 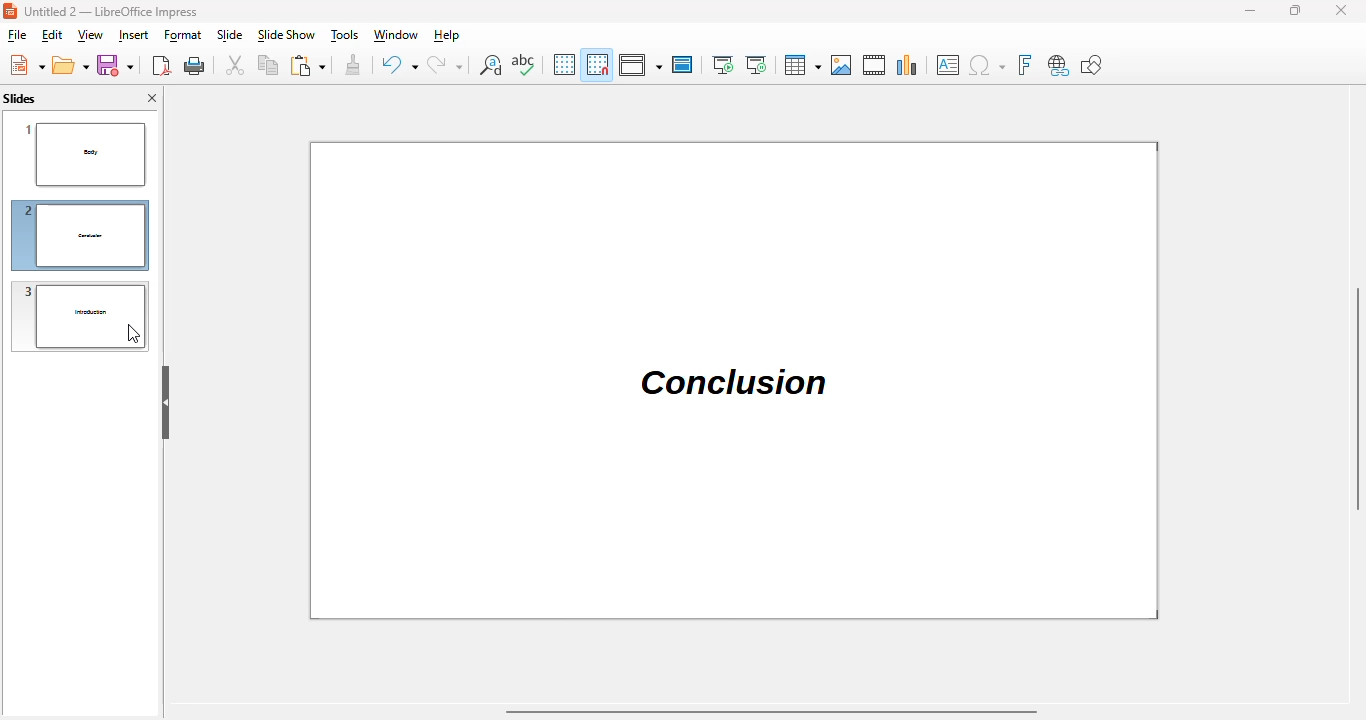 I want to click on clone formatting, so click(x=353, y=64).